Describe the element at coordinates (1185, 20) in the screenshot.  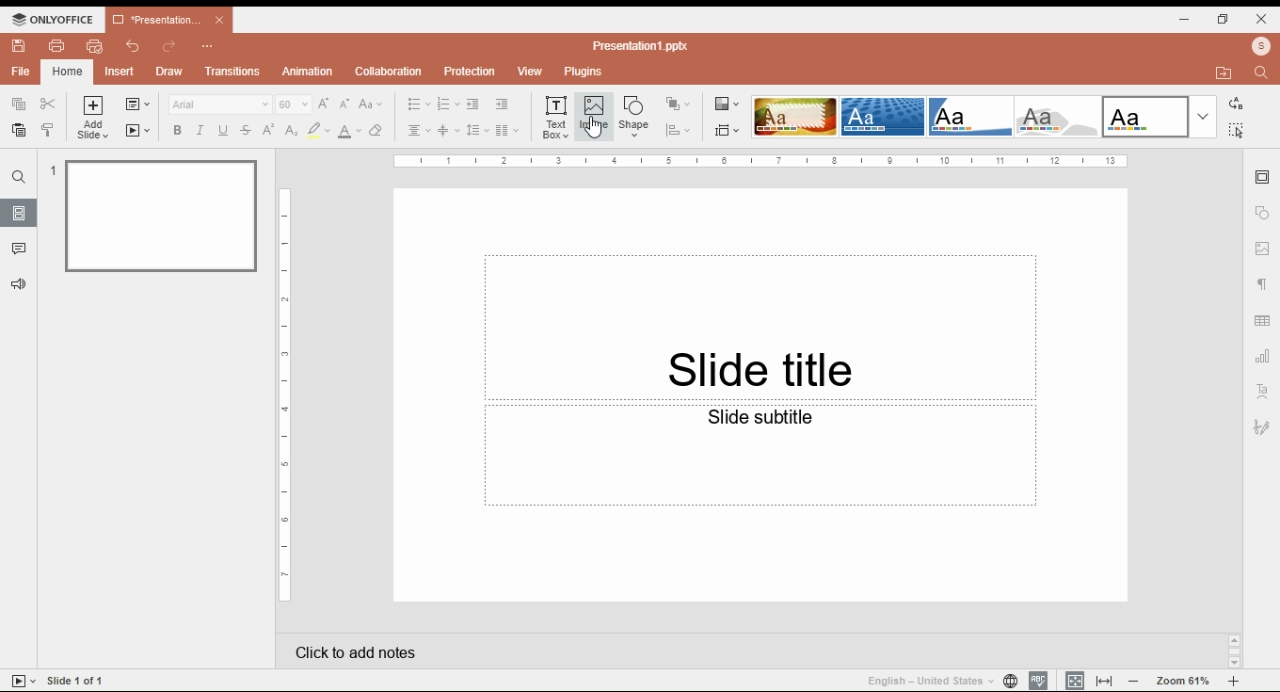
I see `minimize` at that location.